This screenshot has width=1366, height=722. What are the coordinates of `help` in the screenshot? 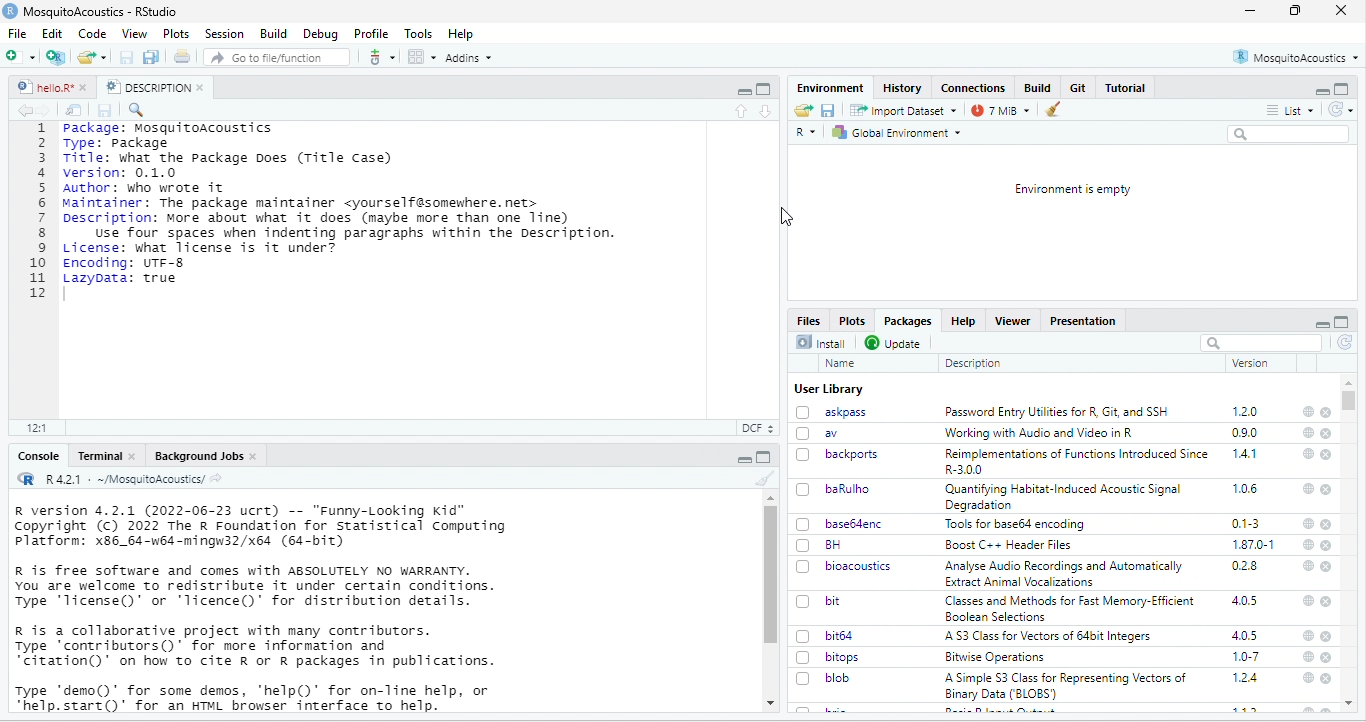 It's located at (1307, 489).